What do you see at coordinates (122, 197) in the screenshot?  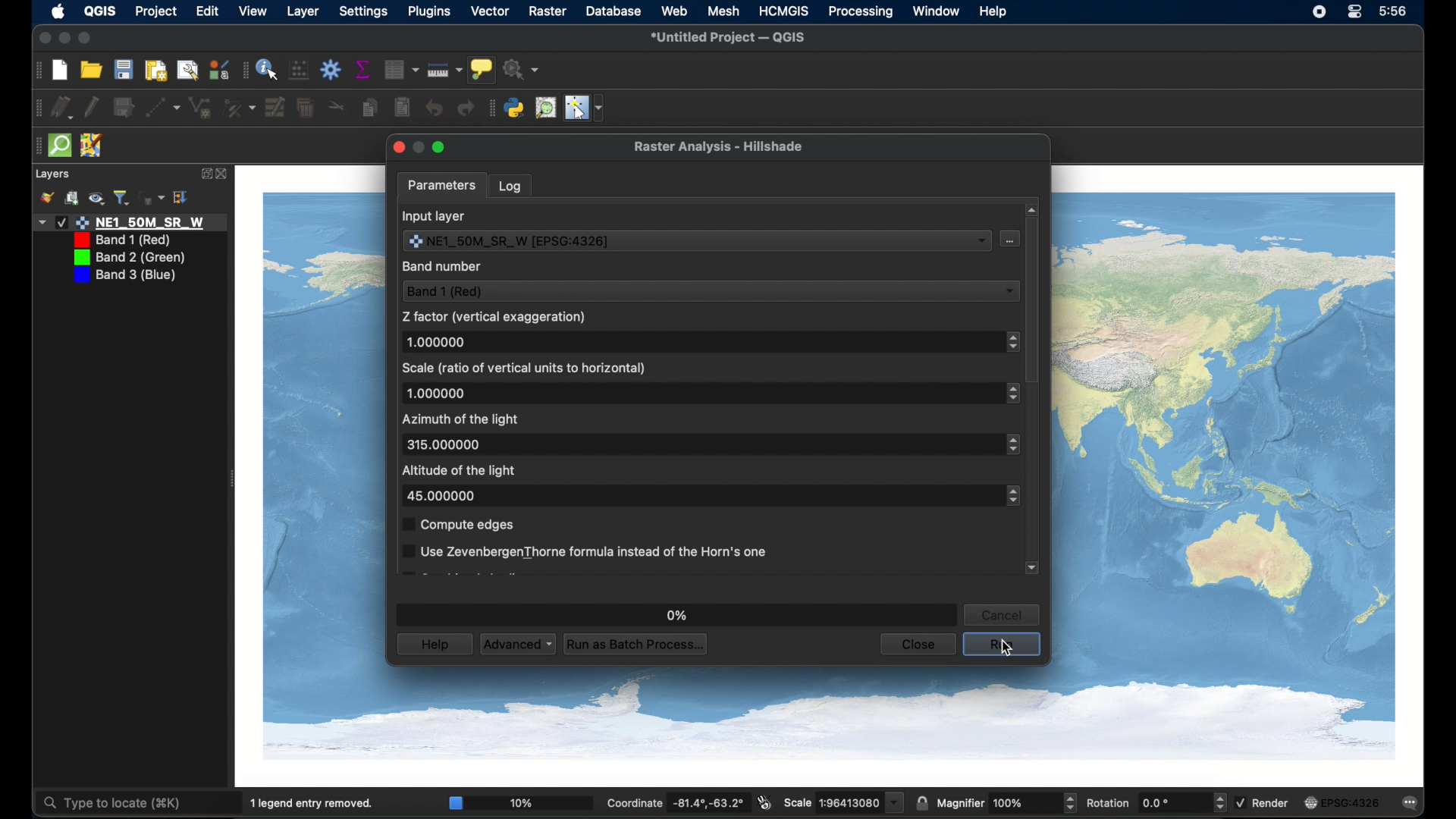 I see `filter legend` at bounding box center [122, 197].